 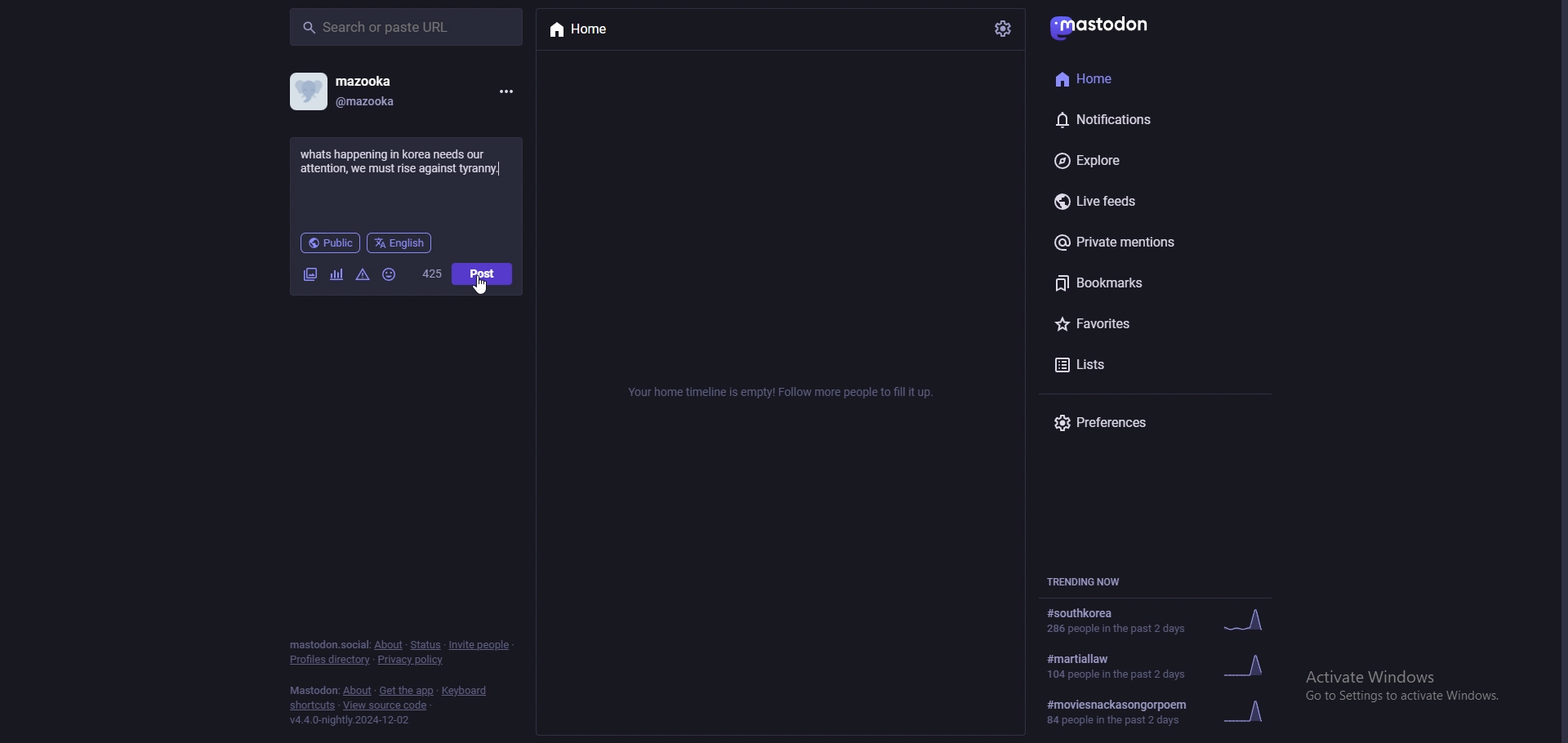 What do you see at coordinates (1147, 245) in the screenshot?
I see `private mentions` at bounding box center [1147, 245].